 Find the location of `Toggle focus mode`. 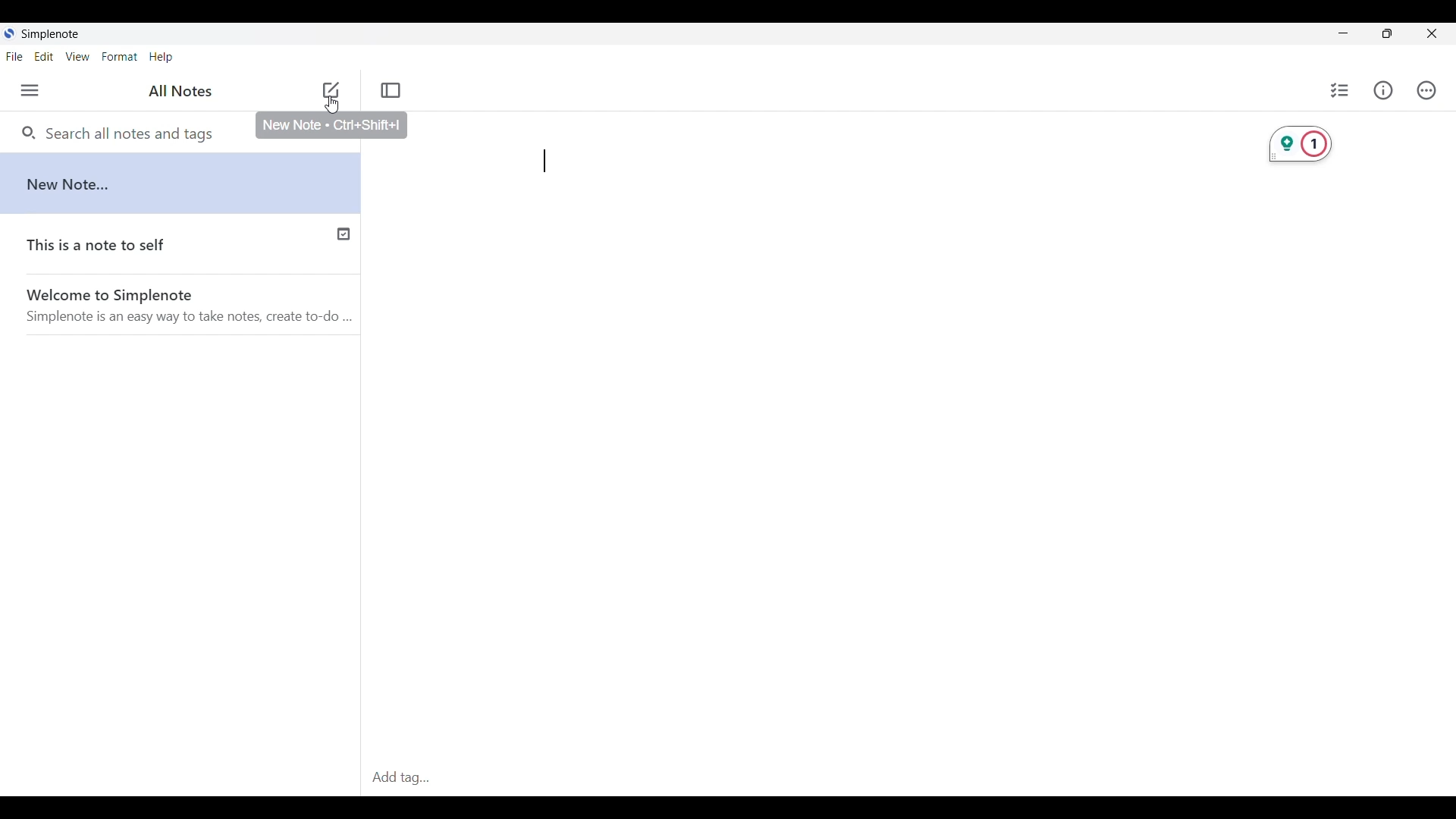

Toggle focus mode is located at coordinates (391, 90).